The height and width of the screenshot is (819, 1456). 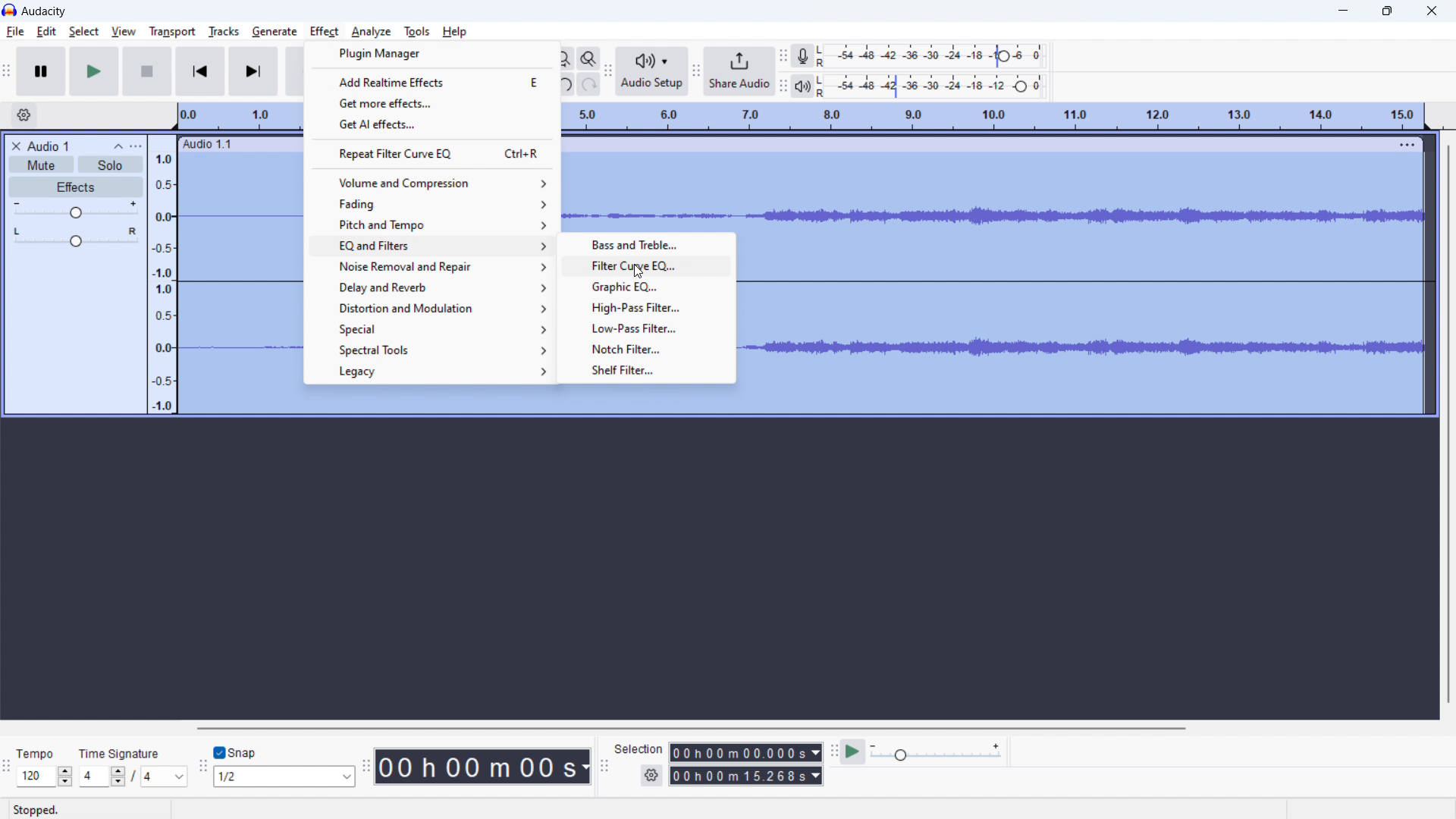 I want to click on project title, so click(x=49, y=146).